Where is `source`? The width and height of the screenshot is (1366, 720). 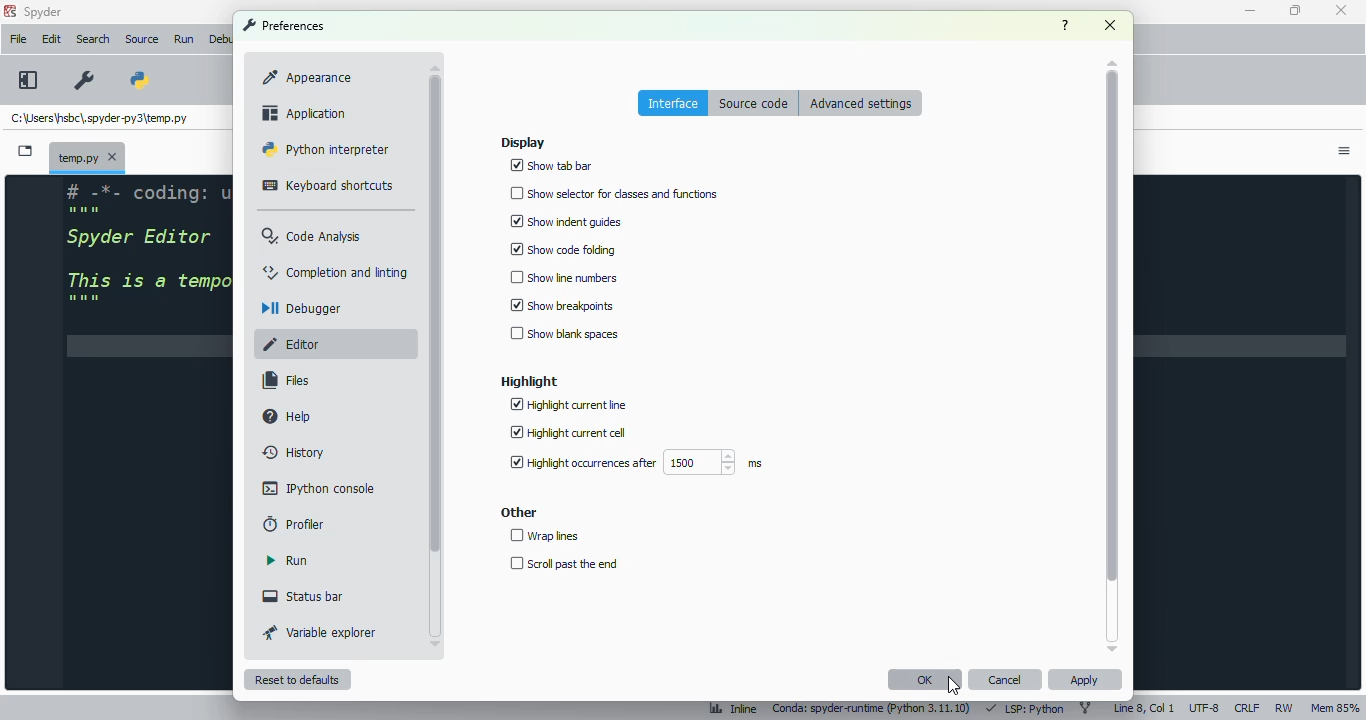
source is located at coordinates (142, 39).